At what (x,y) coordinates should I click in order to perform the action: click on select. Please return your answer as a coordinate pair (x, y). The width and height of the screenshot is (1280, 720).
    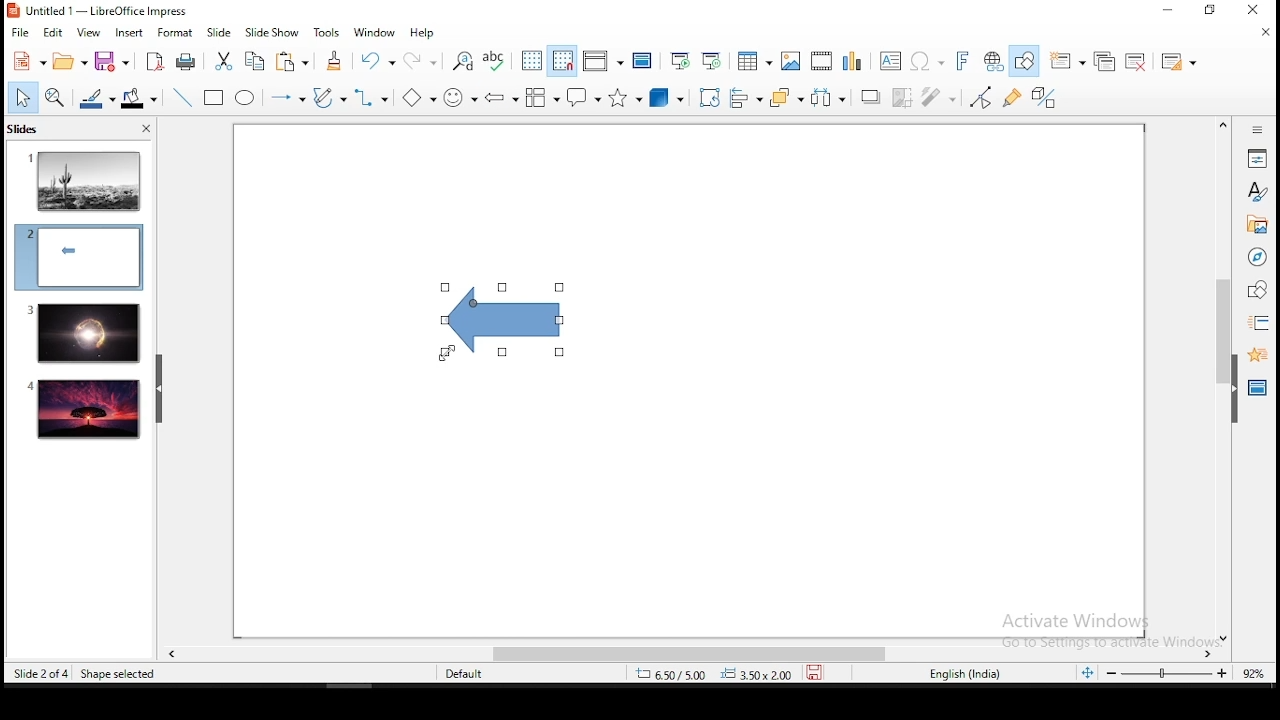
    Looking at the image, I should click on (23, 97).